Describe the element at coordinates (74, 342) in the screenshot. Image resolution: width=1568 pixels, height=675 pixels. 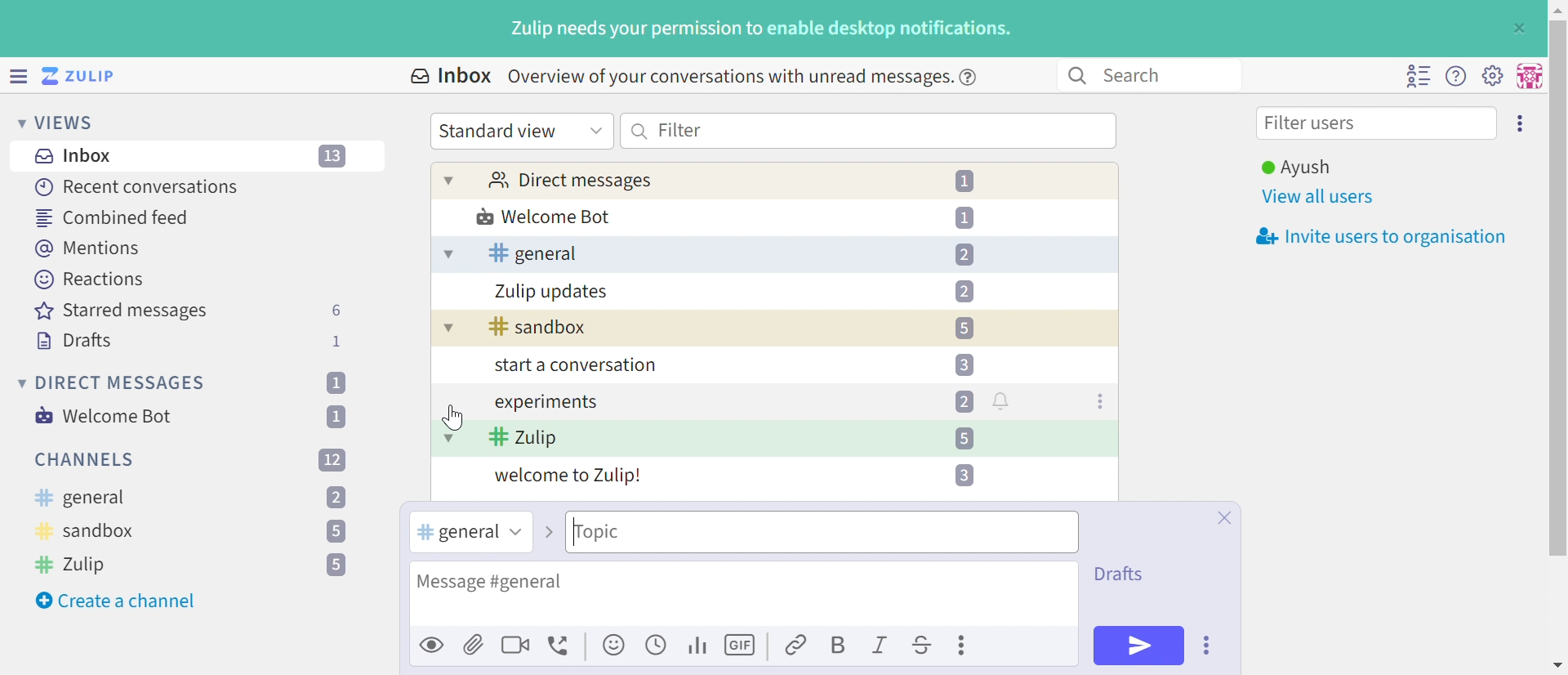
I see `Drafts` at that location.